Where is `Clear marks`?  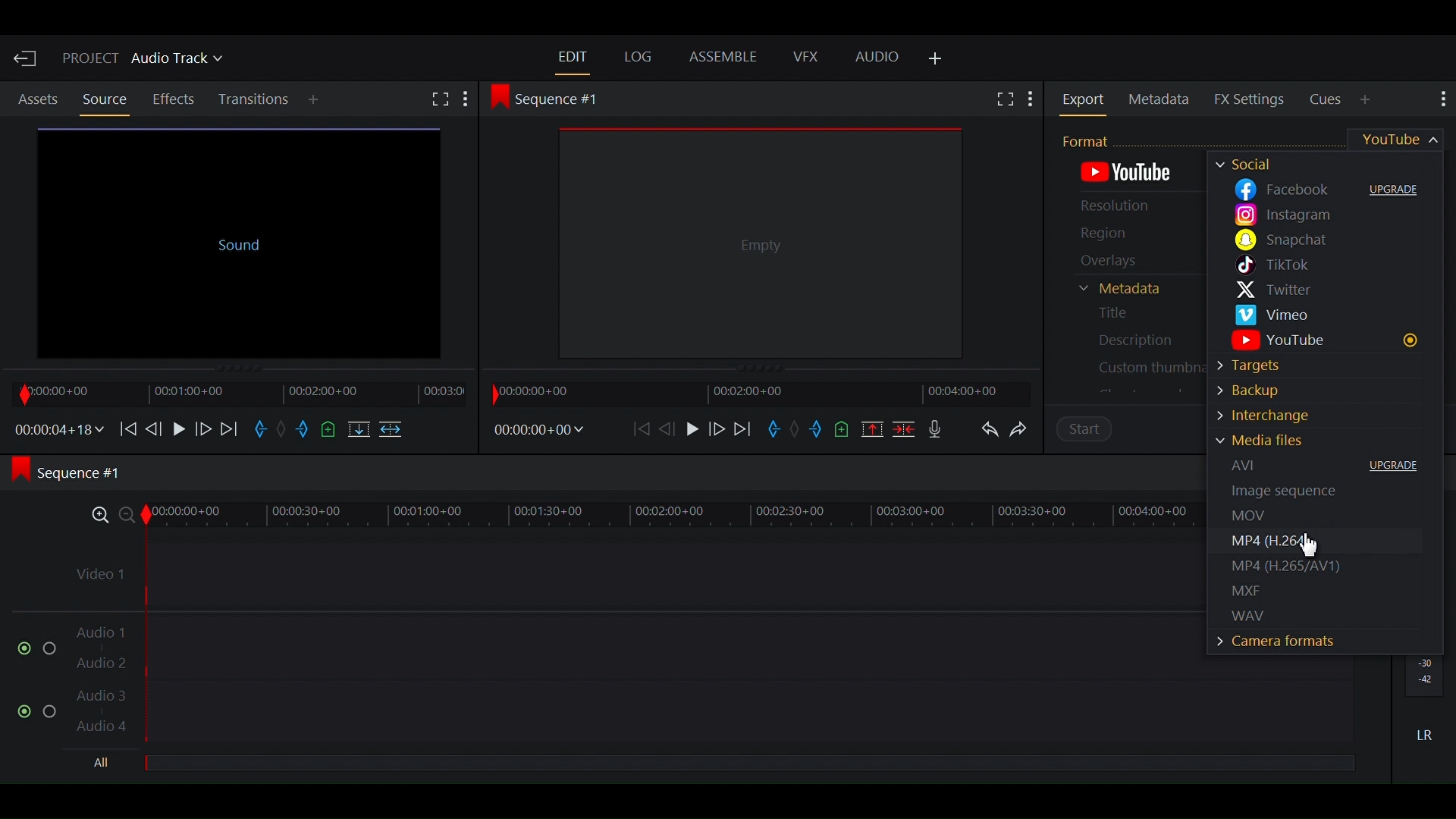 Clear marks is located at coordinates (285, 431).